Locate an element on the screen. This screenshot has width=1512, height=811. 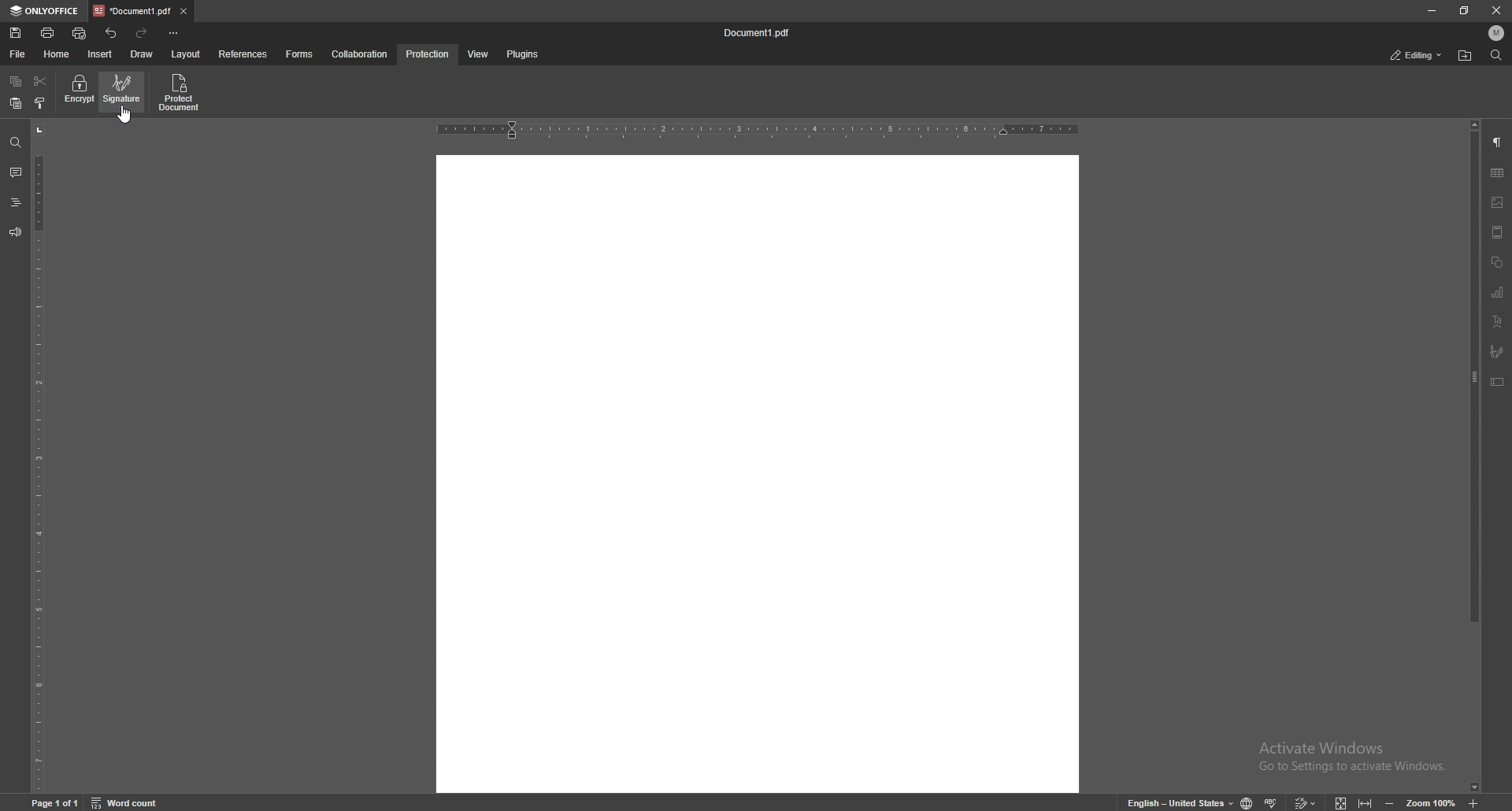
profile is located at coordinates (1497, 33).